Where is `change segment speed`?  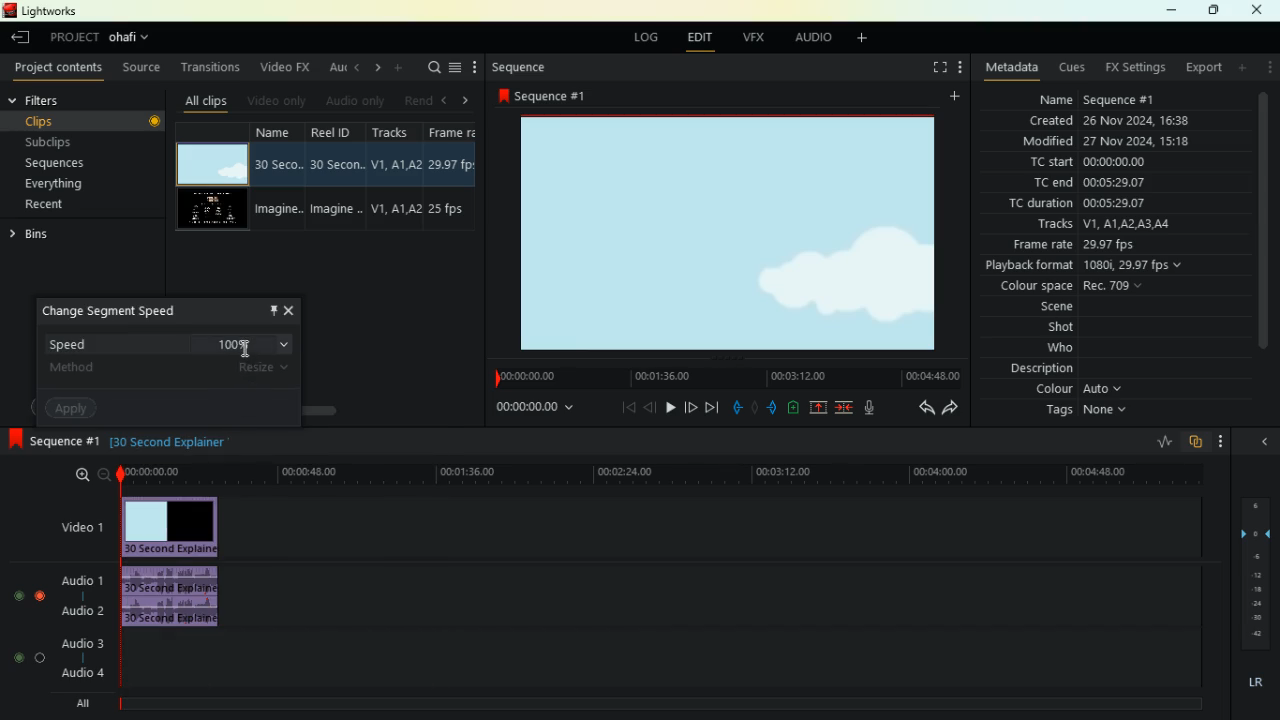 change segment speed is located at coordinates (123, 311).